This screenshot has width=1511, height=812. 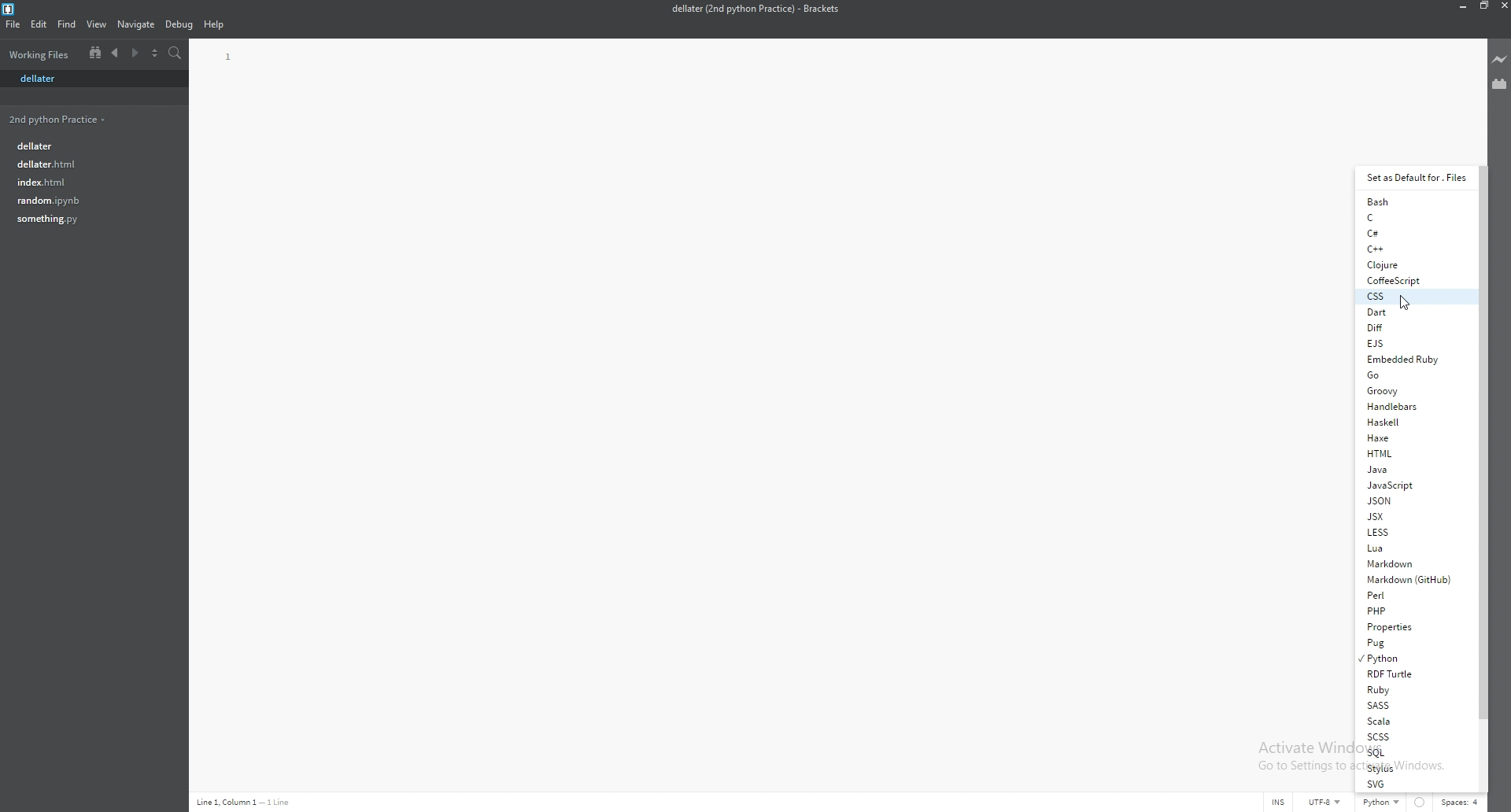 What do you see at coordinates (134, 54) in the screenshot?
I see `next` at bounding box center [134, 54].